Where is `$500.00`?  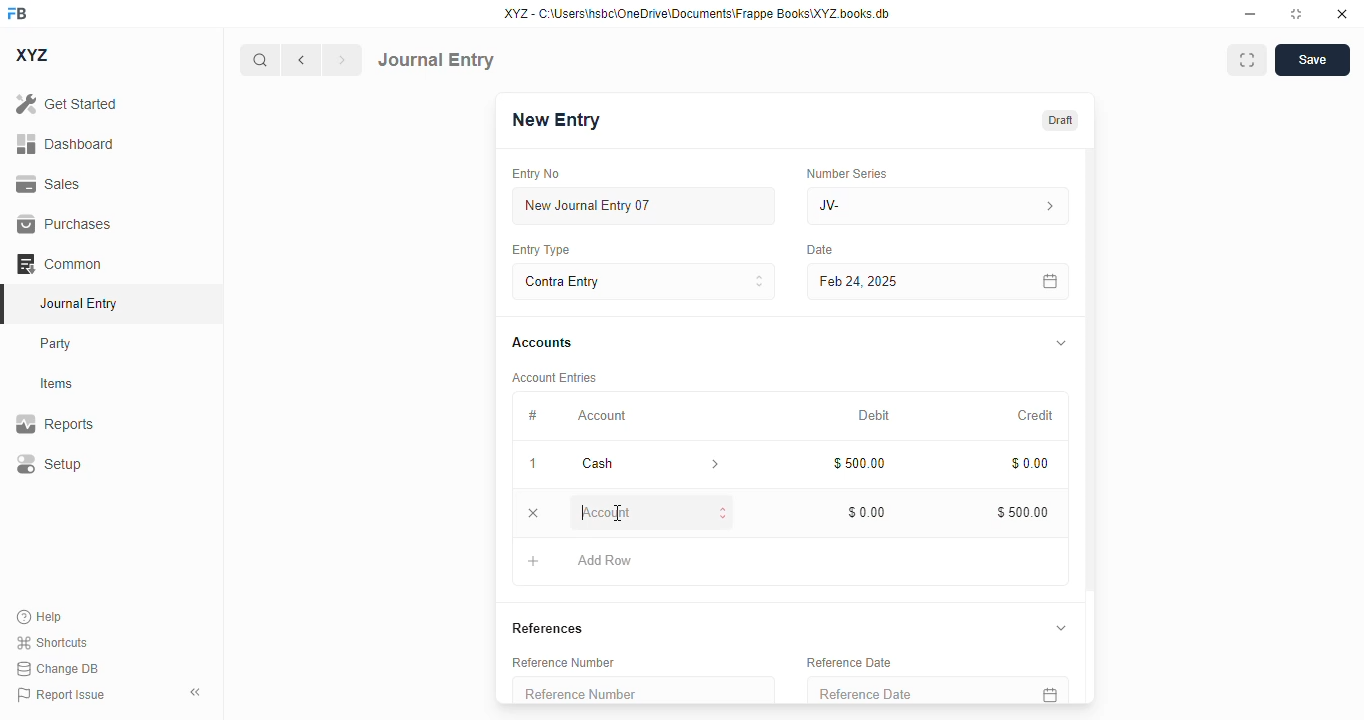 $500.00 is located at coordinates (1024, 512).